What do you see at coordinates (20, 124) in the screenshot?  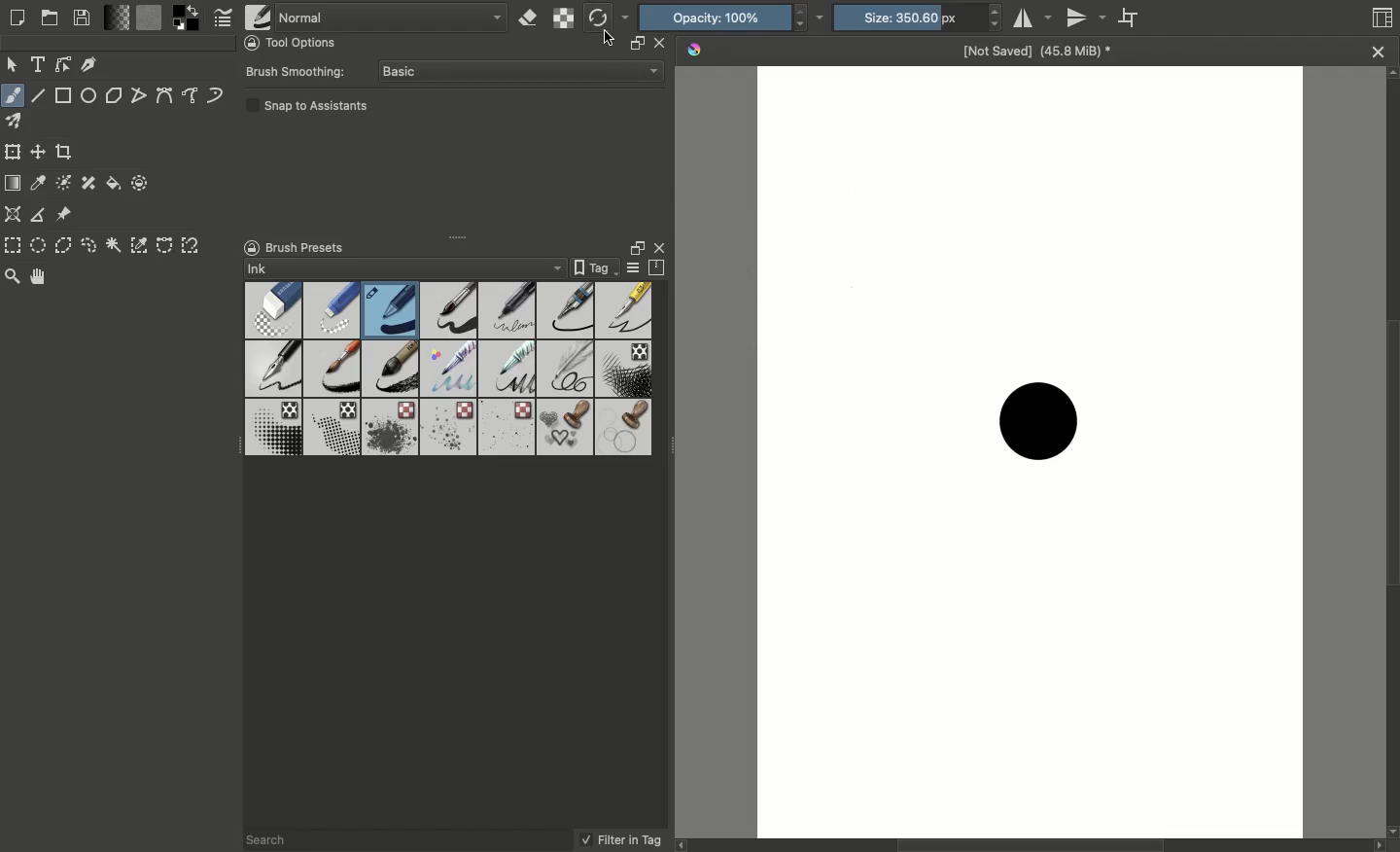 I see `Multibrush tool` at bounding box center [20, 124].